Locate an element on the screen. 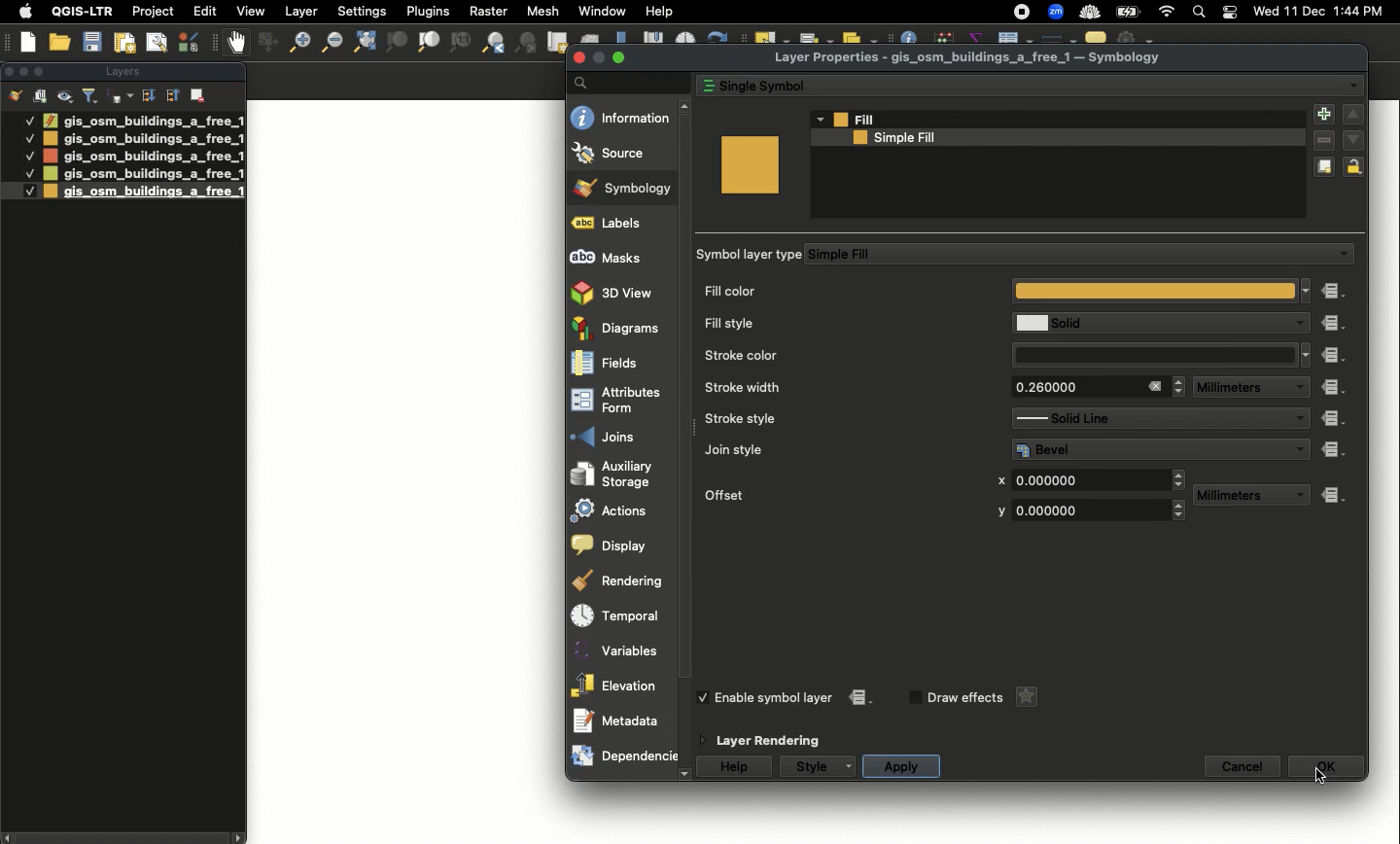 The image size is (1400, 844). Add is located at coordinates (1322, 116).